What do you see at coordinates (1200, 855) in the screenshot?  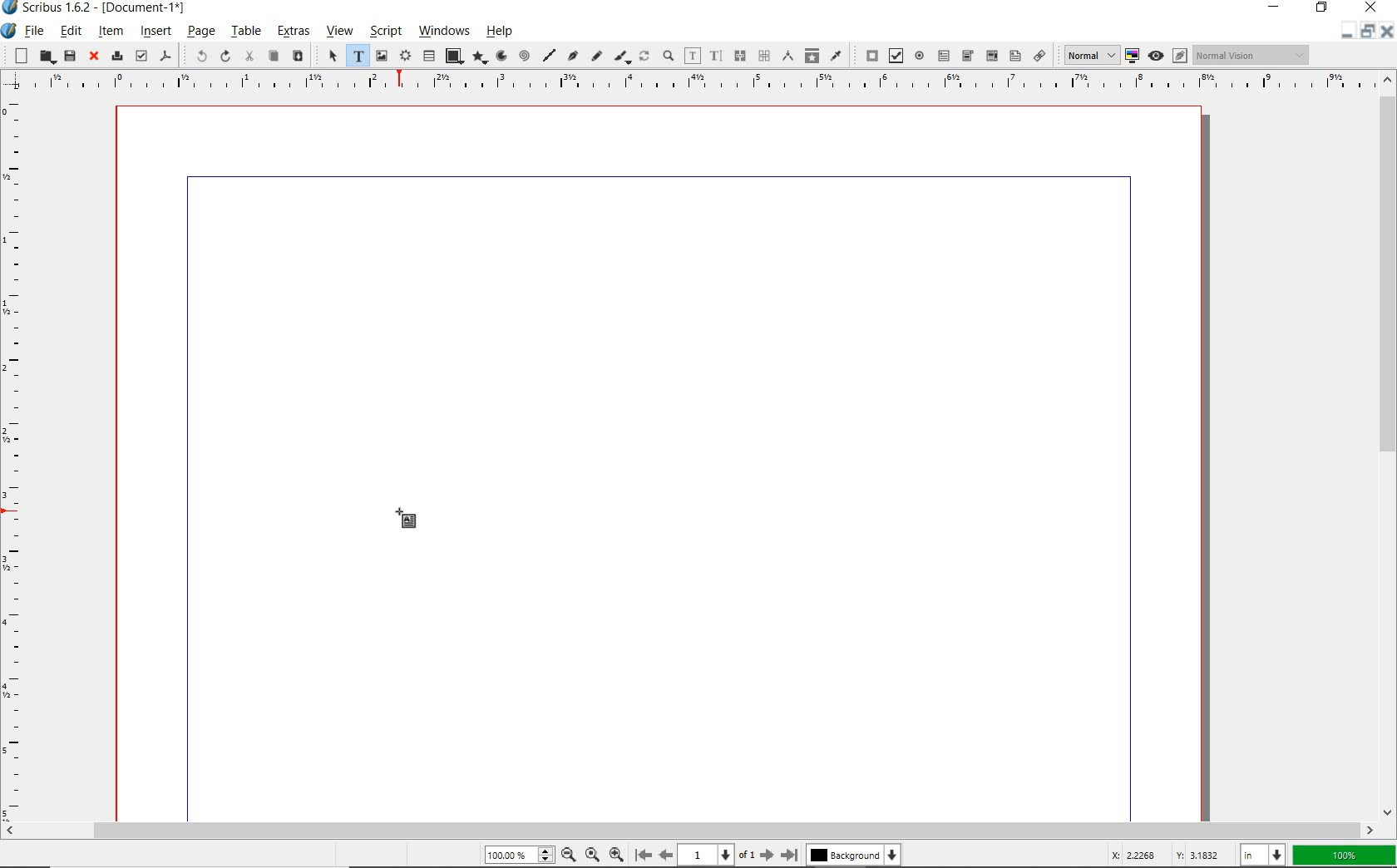 I see `Y: 3.1832` at bounding box center [1200, 855].